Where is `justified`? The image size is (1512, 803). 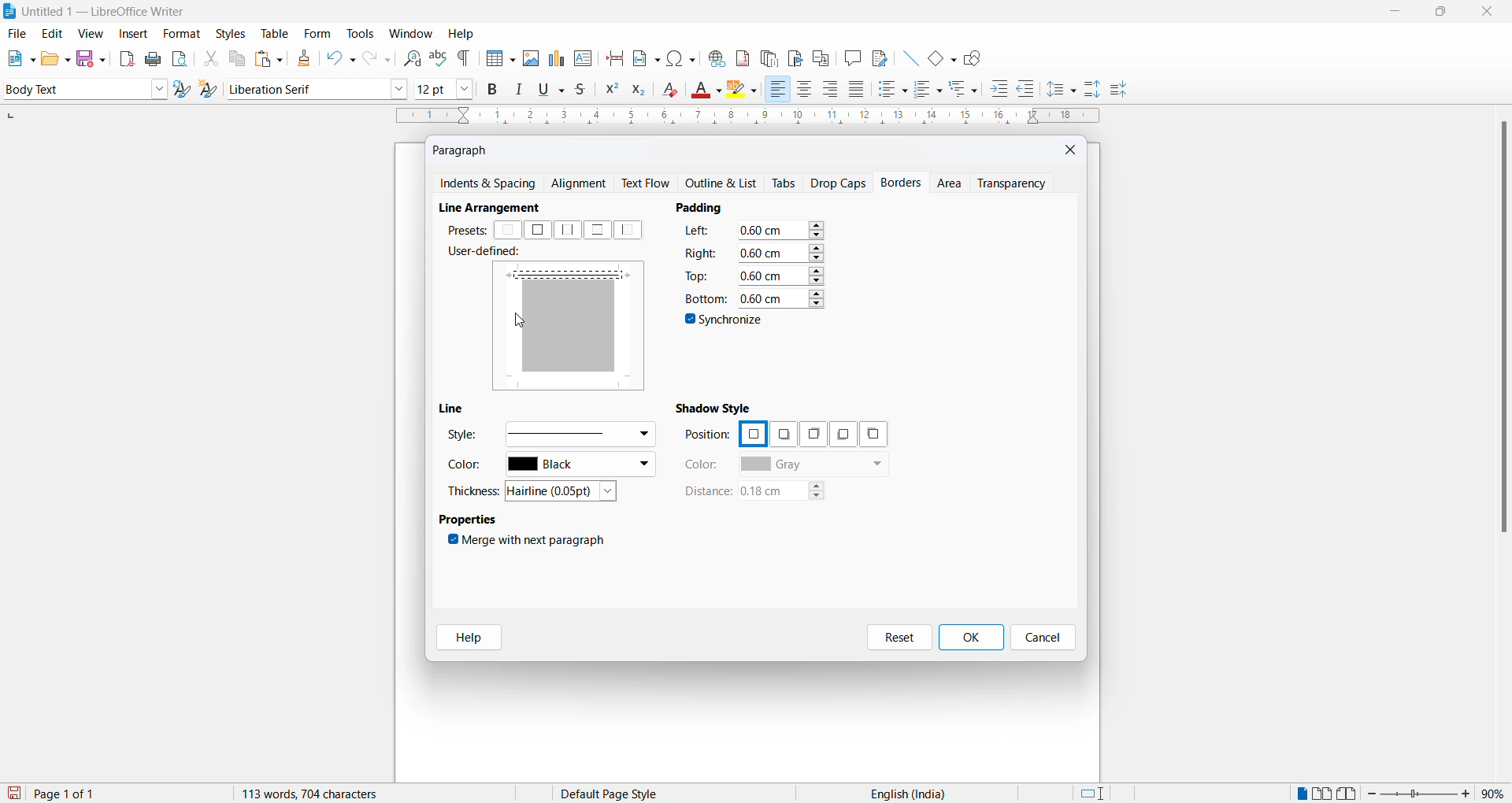
justified is located at coordinates (858, 91).